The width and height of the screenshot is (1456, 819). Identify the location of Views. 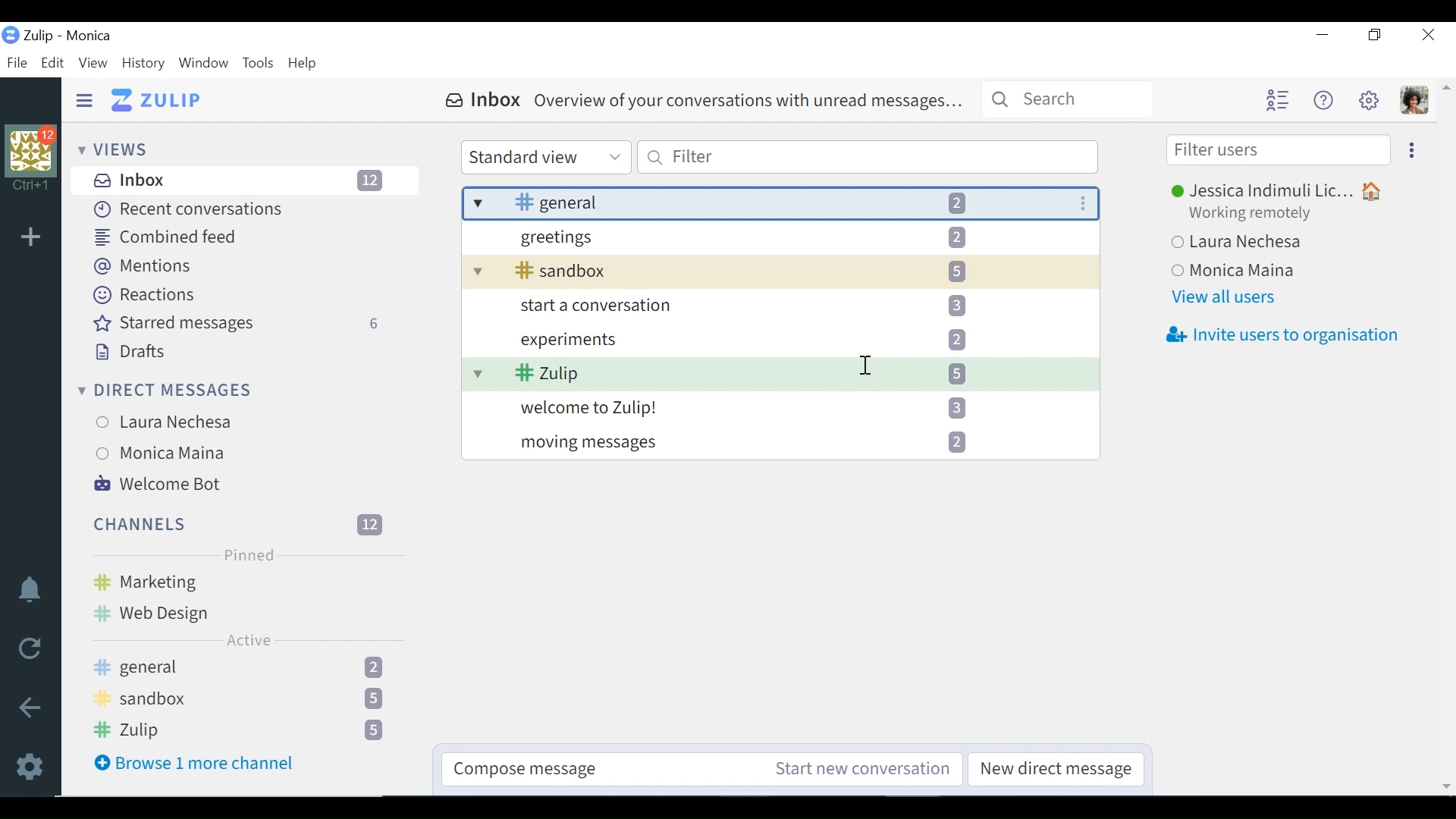
(115, 149).